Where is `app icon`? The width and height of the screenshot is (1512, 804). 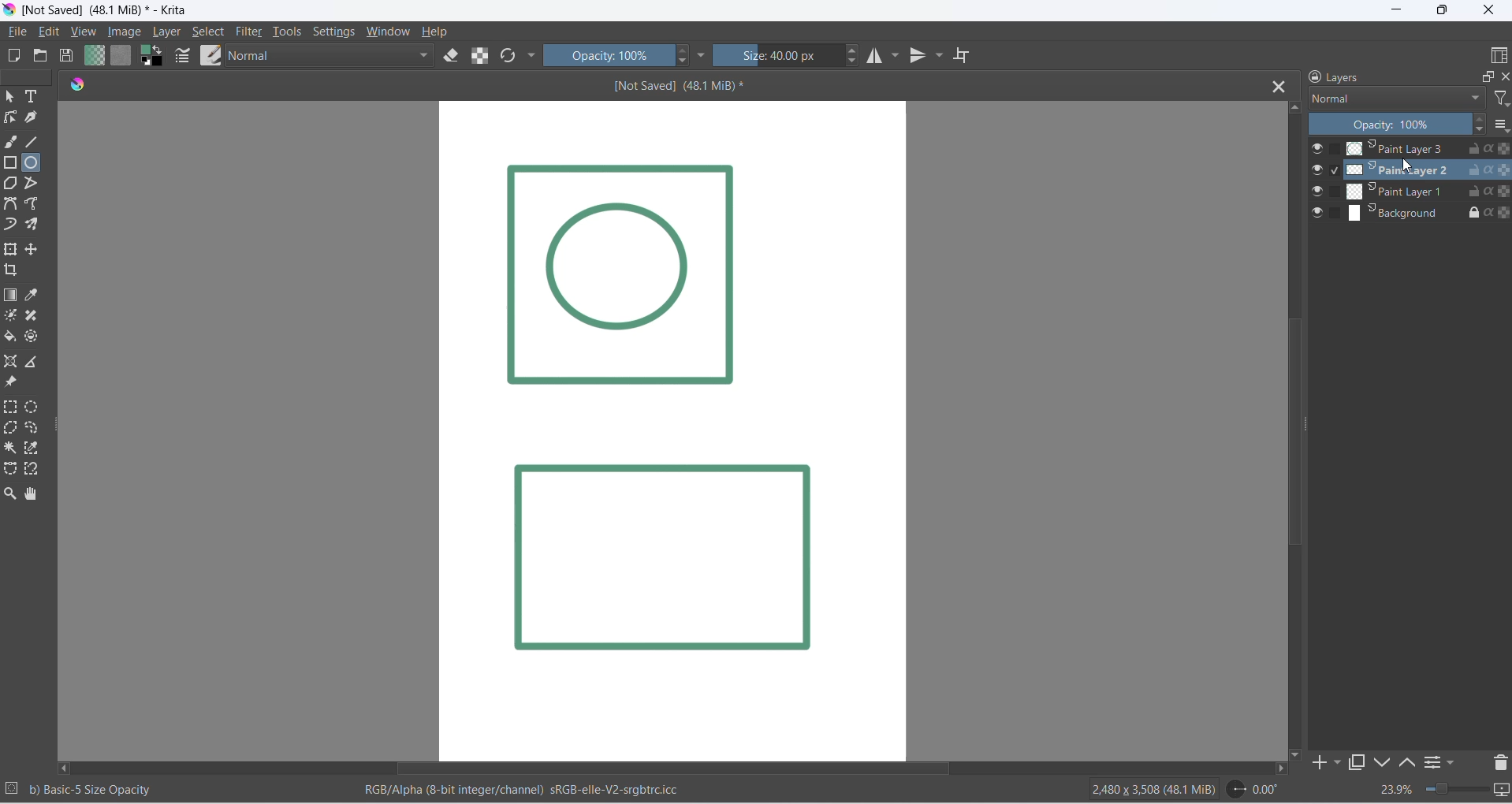 app icon is located at coordinates (10, 10).